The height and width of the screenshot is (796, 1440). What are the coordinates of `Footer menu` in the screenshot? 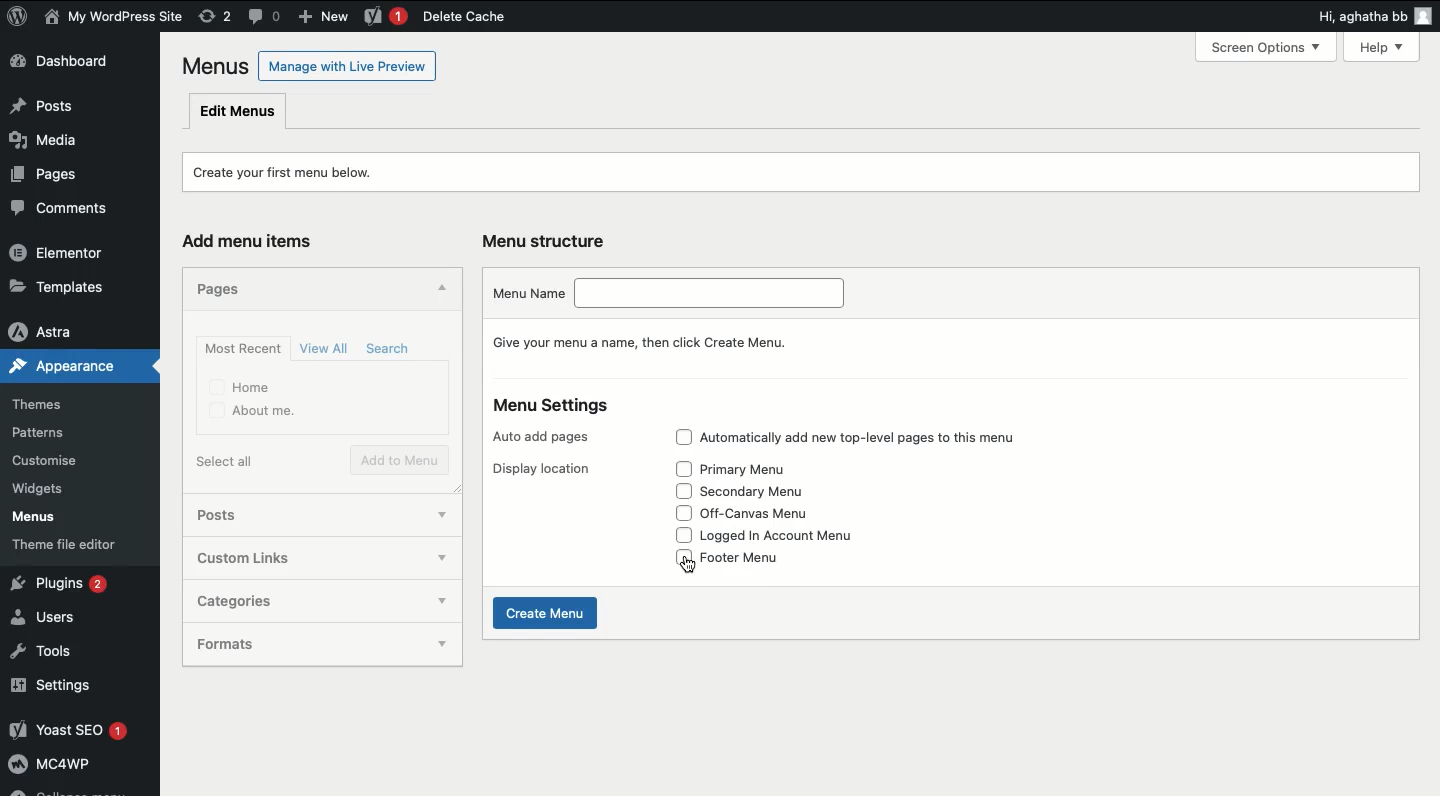 It's located at (752, 561).